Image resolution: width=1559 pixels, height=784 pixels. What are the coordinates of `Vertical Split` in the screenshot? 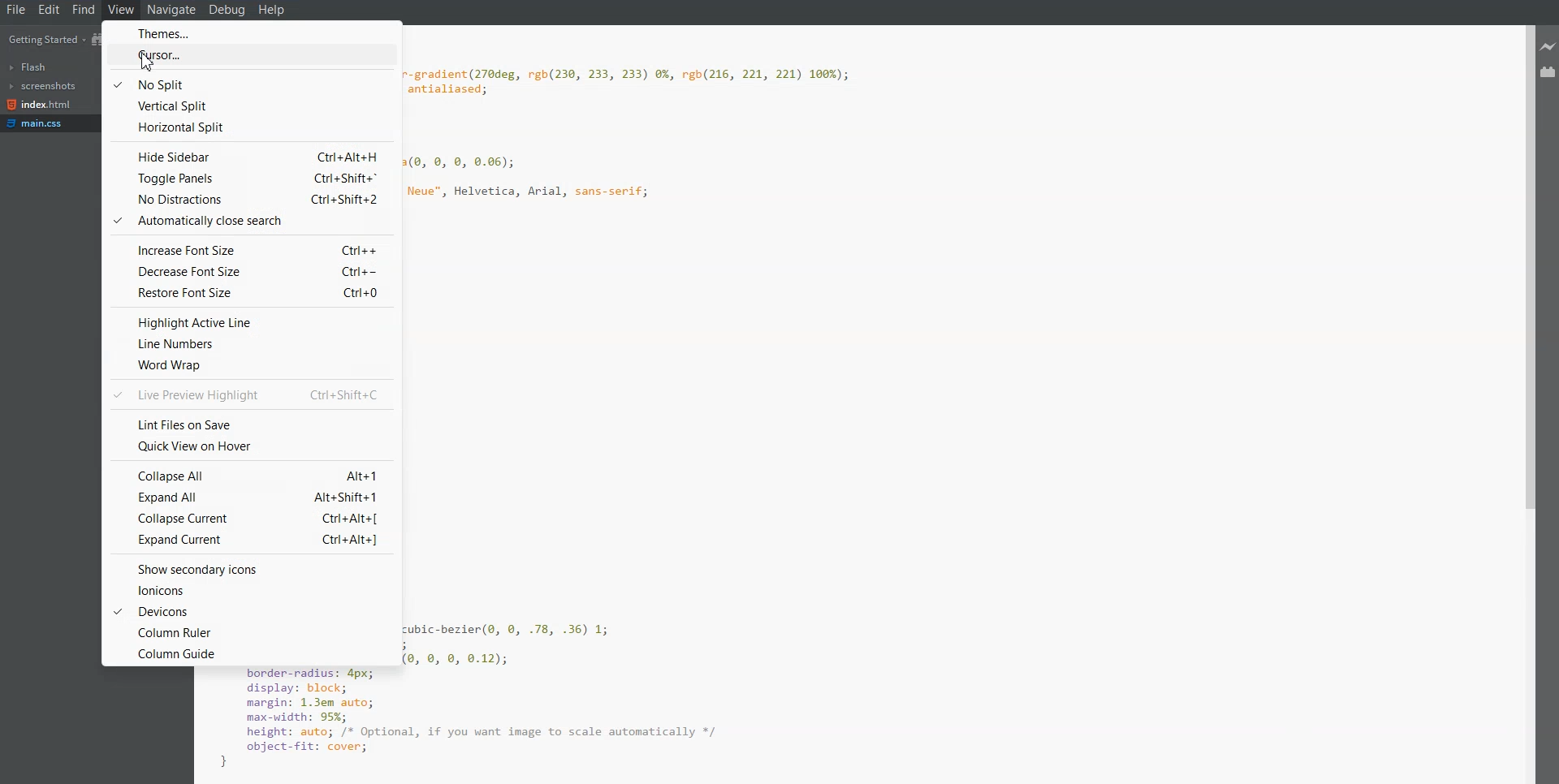 It's located at (248, 106).